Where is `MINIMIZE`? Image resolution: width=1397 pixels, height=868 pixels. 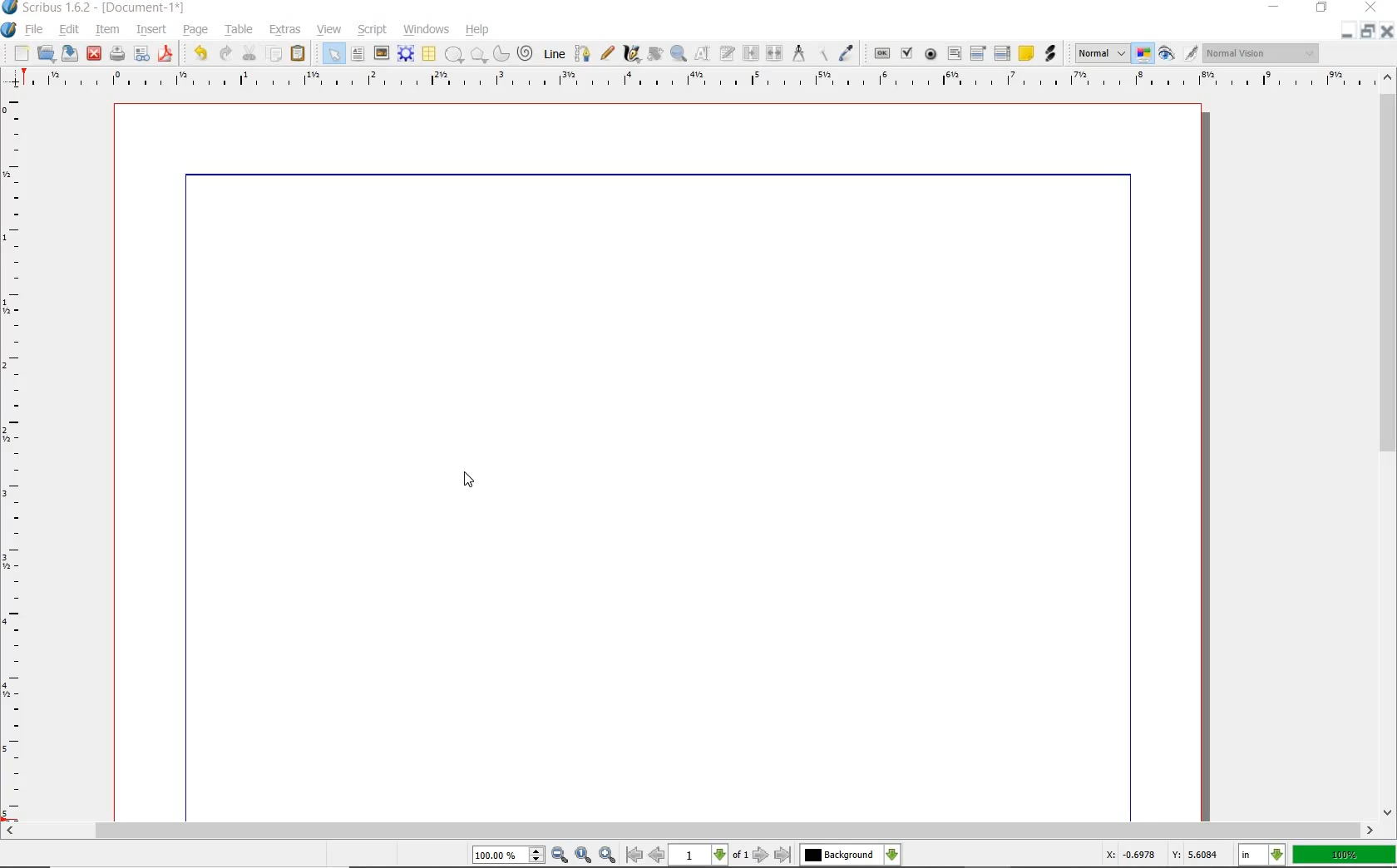 MINIMIZE is located at coordinates (1276, 6).